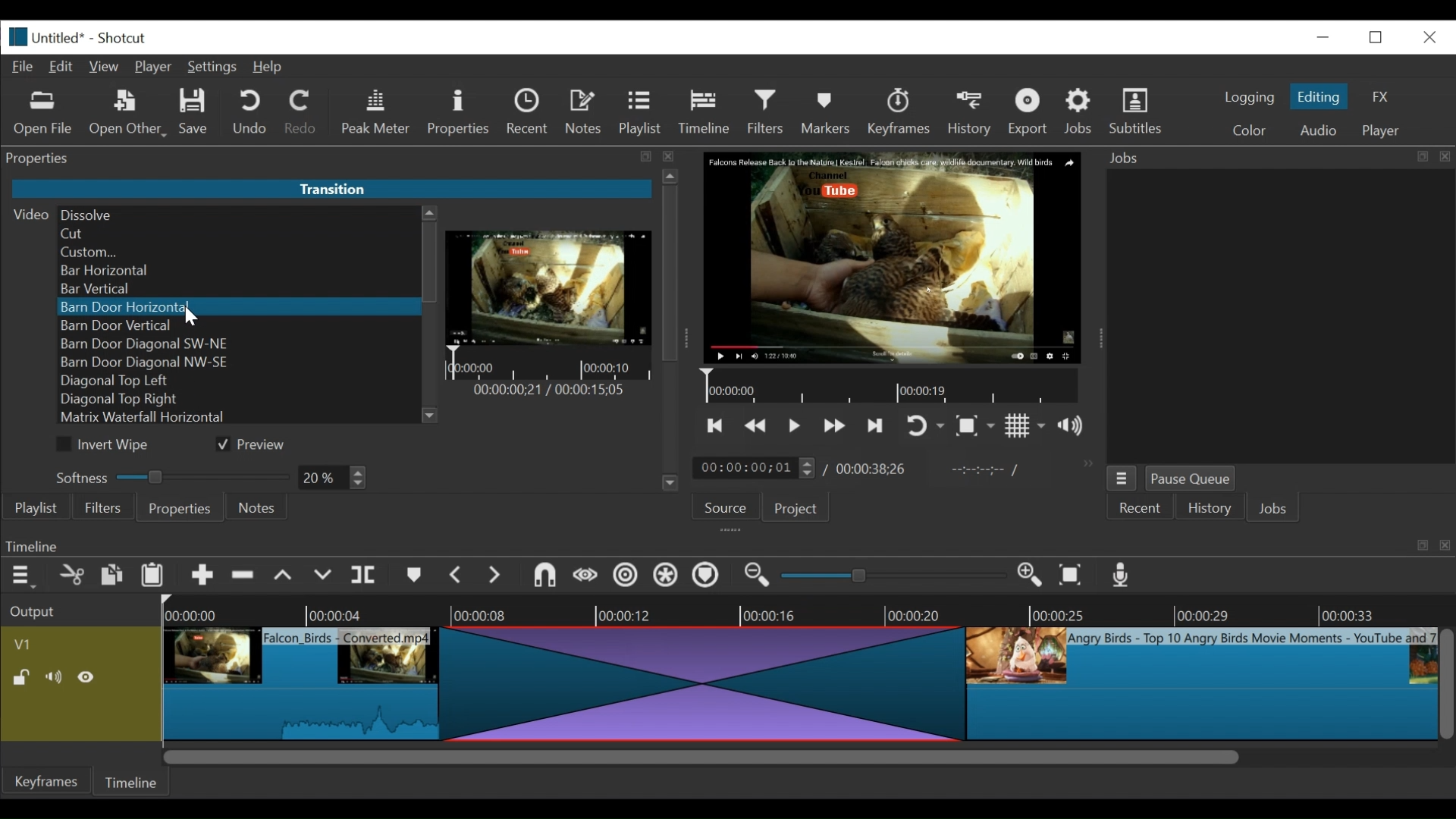 The image size is (1456, 819). I want to click on Time, so click(551, 392).